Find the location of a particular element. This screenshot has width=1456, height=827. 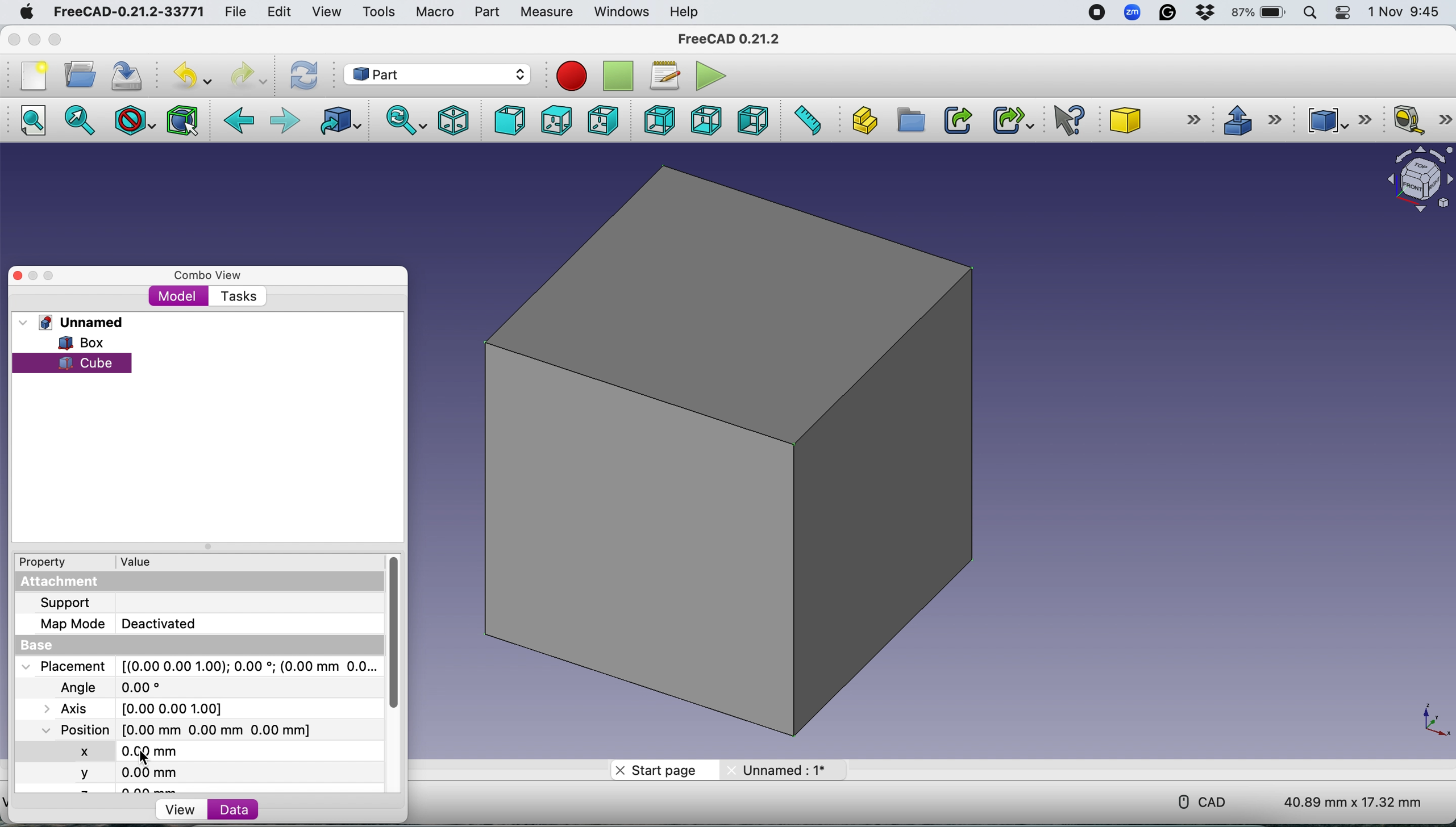

Control center is located at coordinates (1345, 13).